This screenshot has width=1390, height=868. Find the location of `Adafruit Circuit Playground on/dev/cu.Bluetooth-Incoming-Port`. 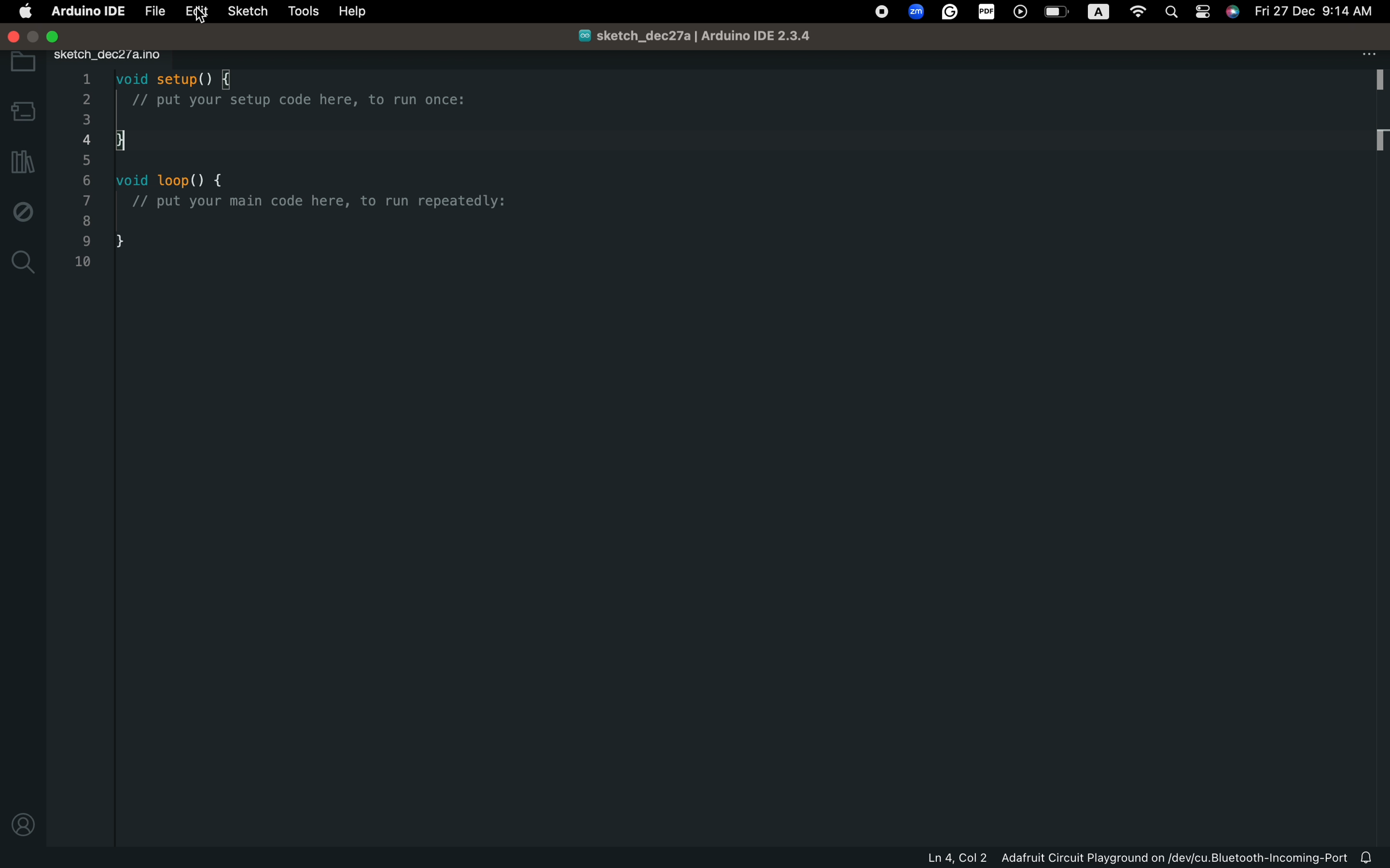

Adafruit Circuit Playground on/dev/cu.Bluetooth-Incoming-Port is located at coordinates (1173, 859).